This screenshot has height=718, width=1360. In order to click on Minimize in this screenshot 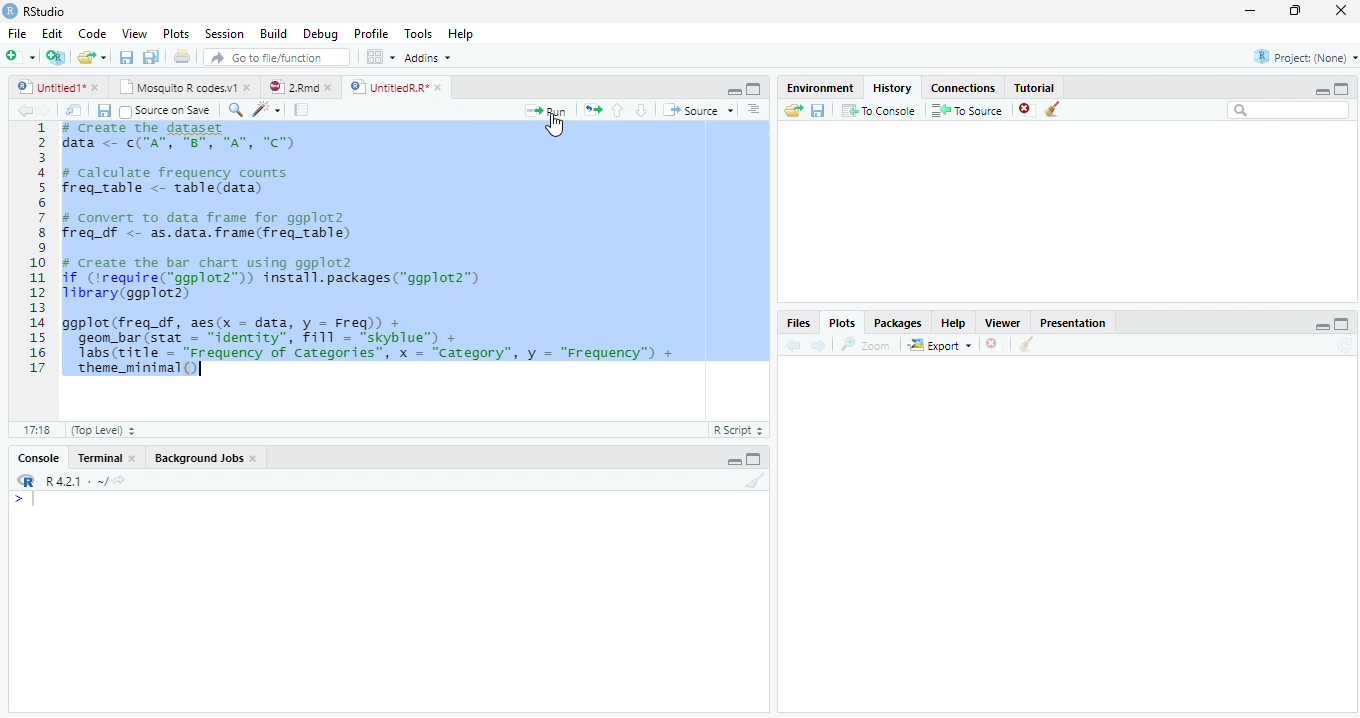, I will do `click(734, 461)`.